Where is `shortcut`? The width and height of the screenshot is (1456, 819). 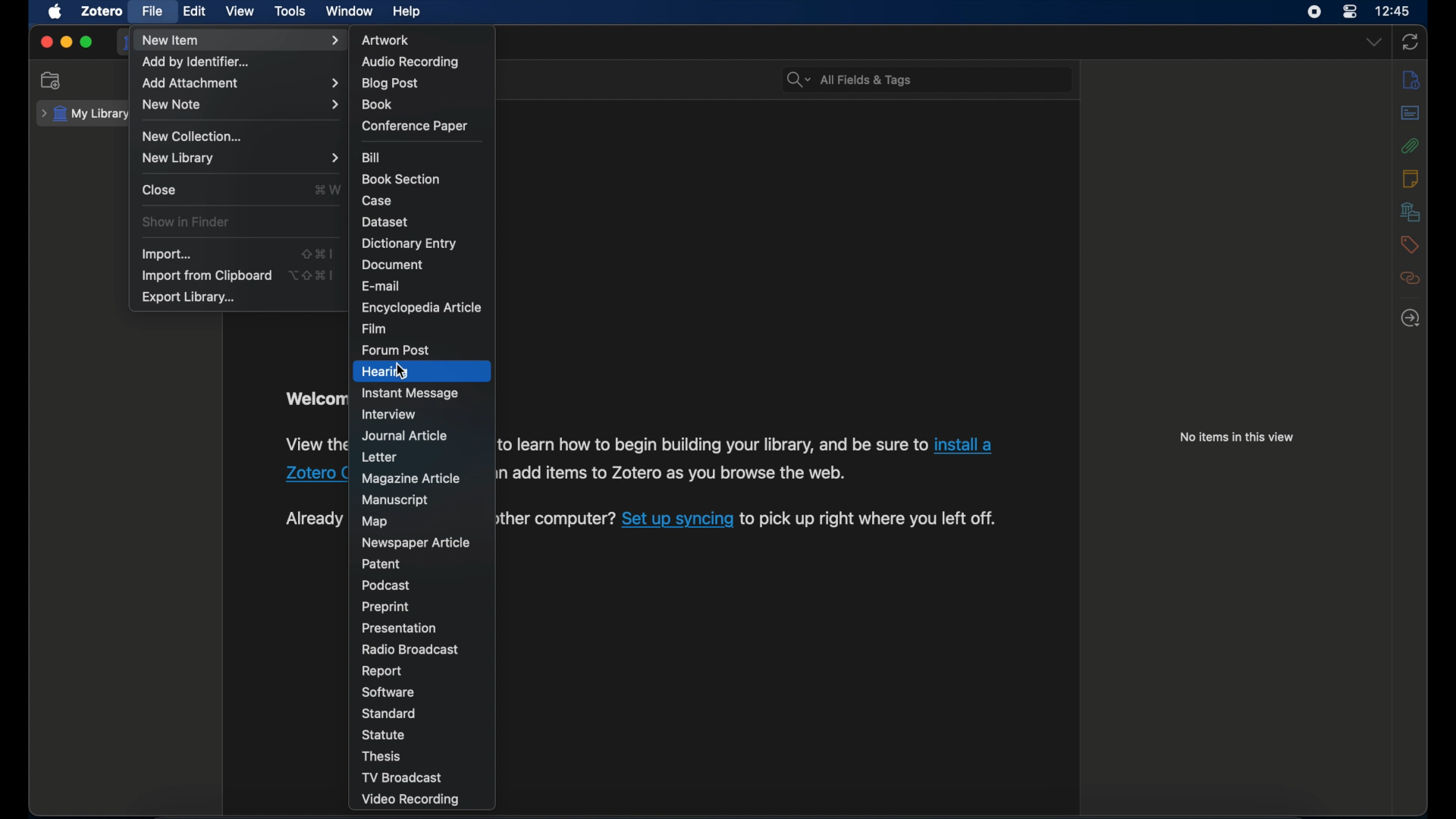
shortcut is located at coordinates (311, 275).